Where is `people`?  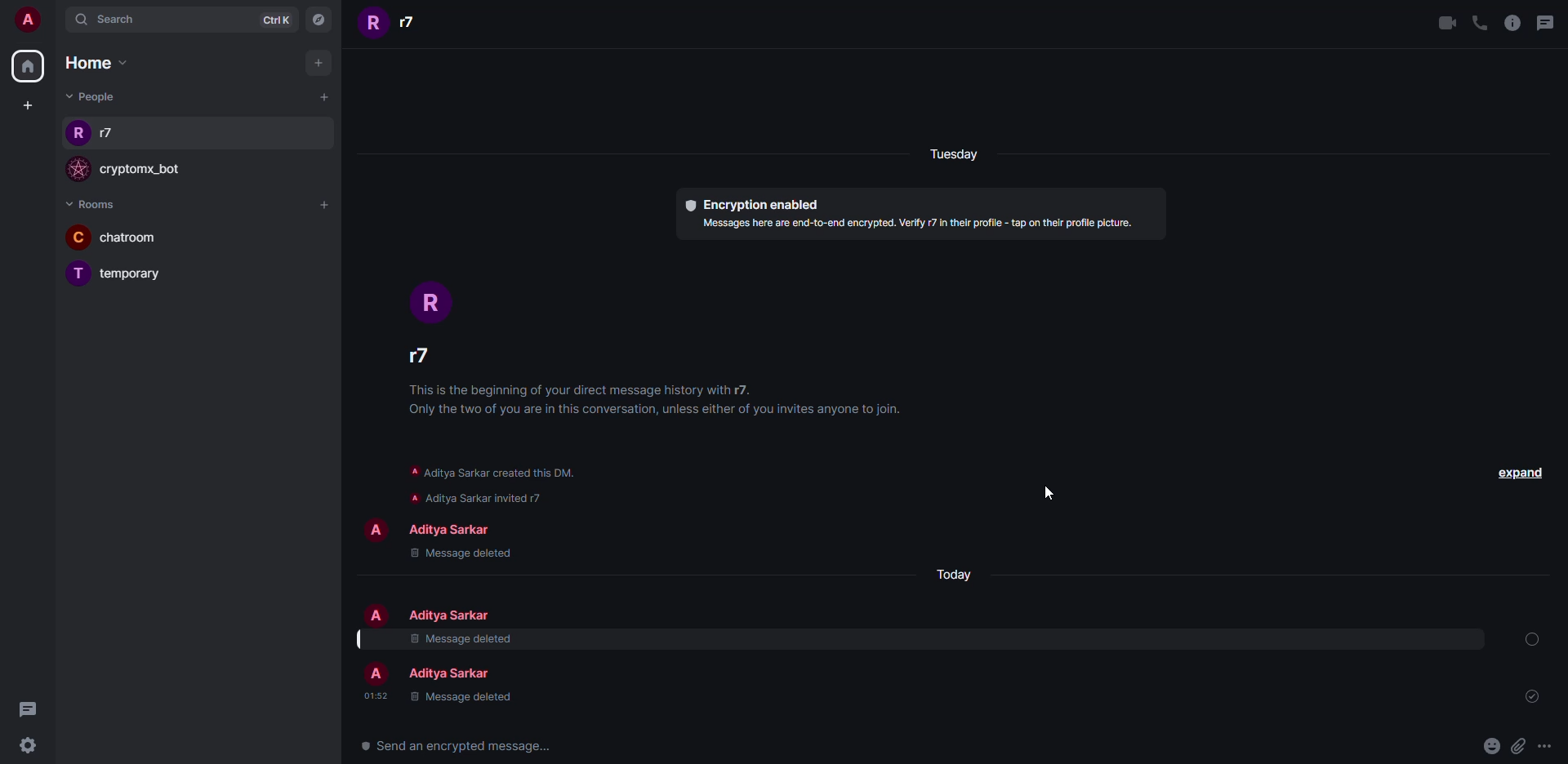
people is located at coordinates (430, 357).